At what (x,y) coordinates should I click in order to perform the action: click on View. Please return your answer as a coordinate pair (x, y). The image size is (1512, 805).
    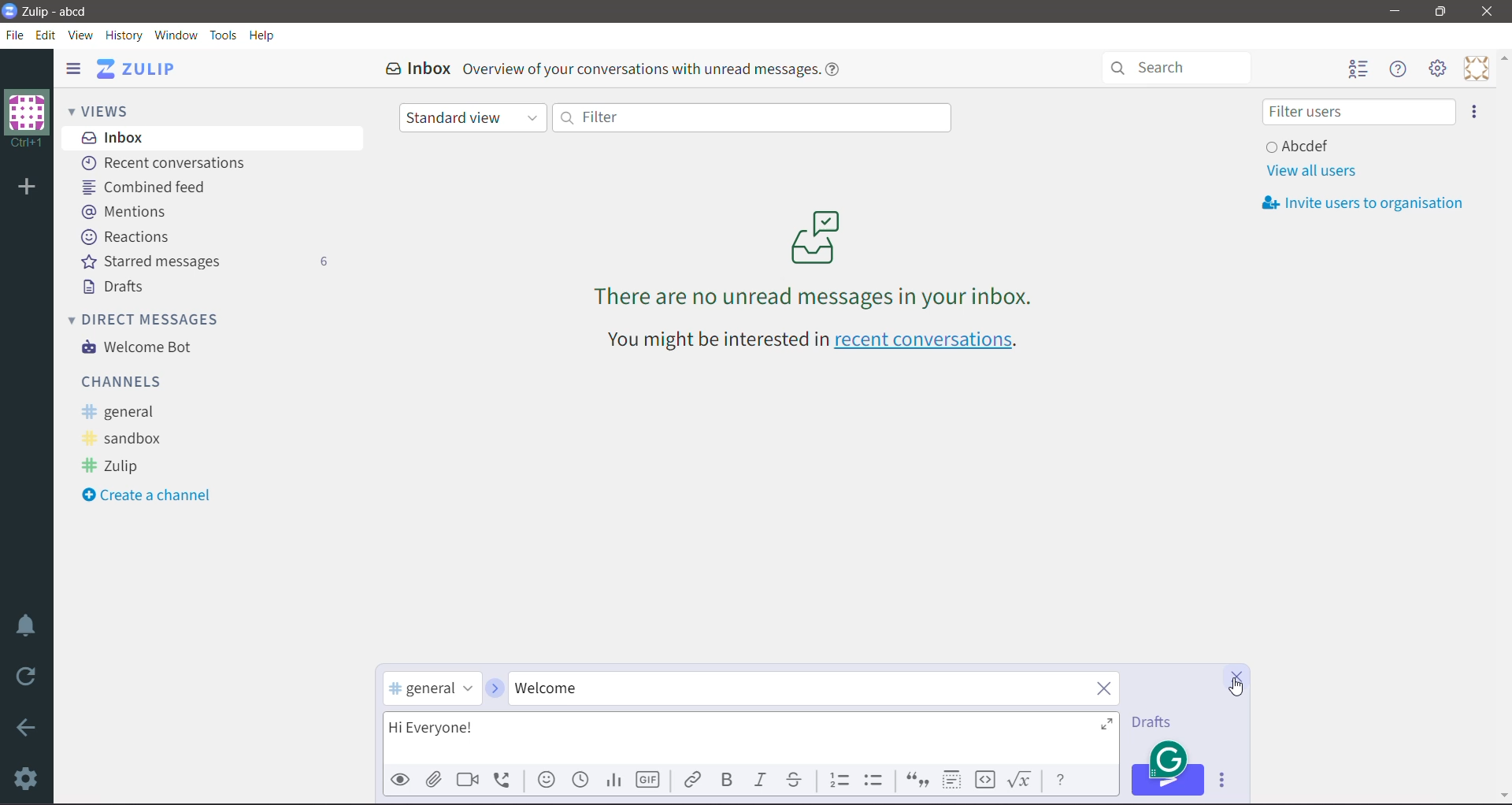
    Looking at the image, I should click on (82, 35).